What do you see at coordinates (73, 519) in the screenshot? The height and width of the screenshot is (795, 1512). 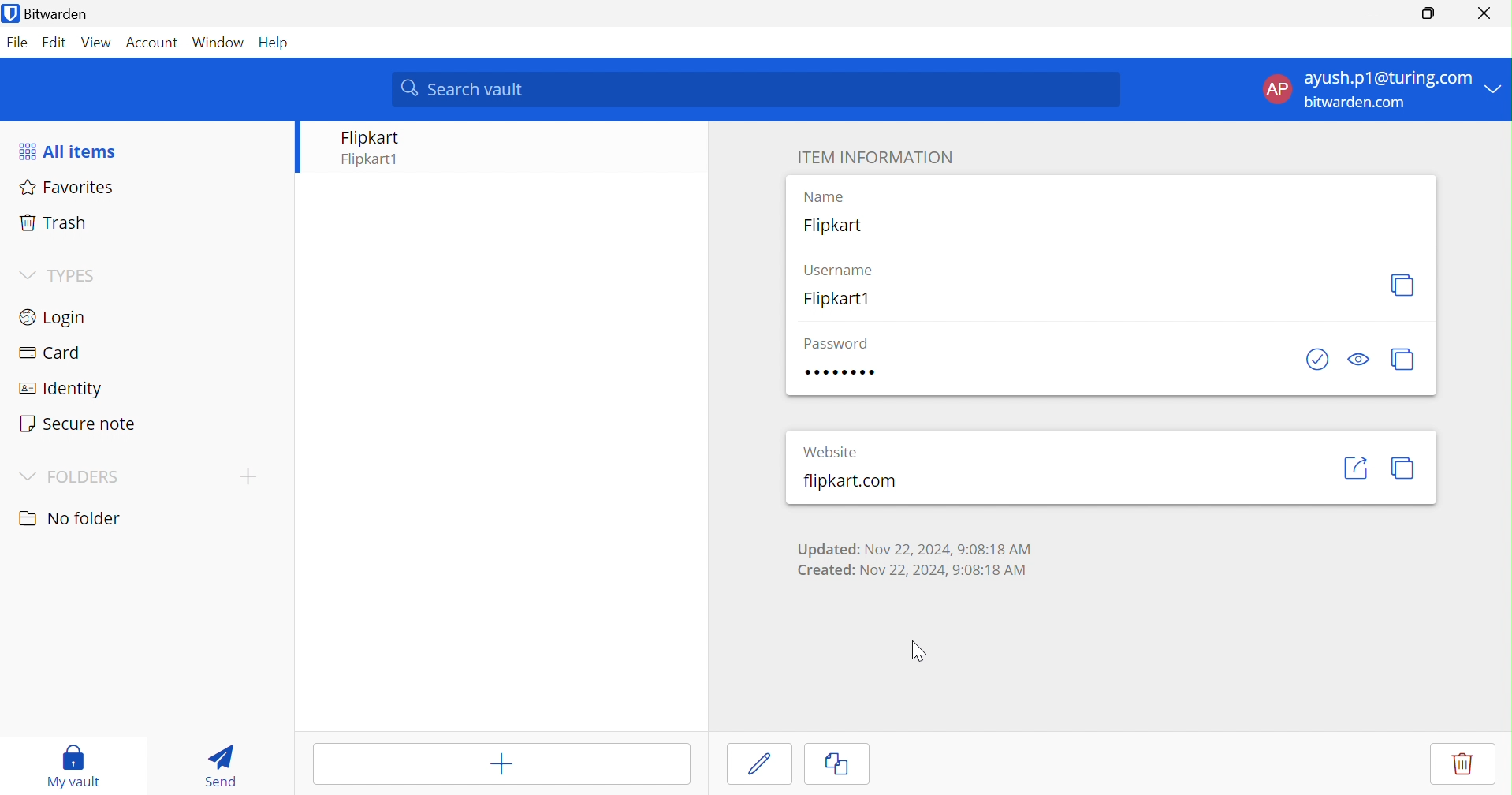 I see `No folder` at bounding box center [73, 519].